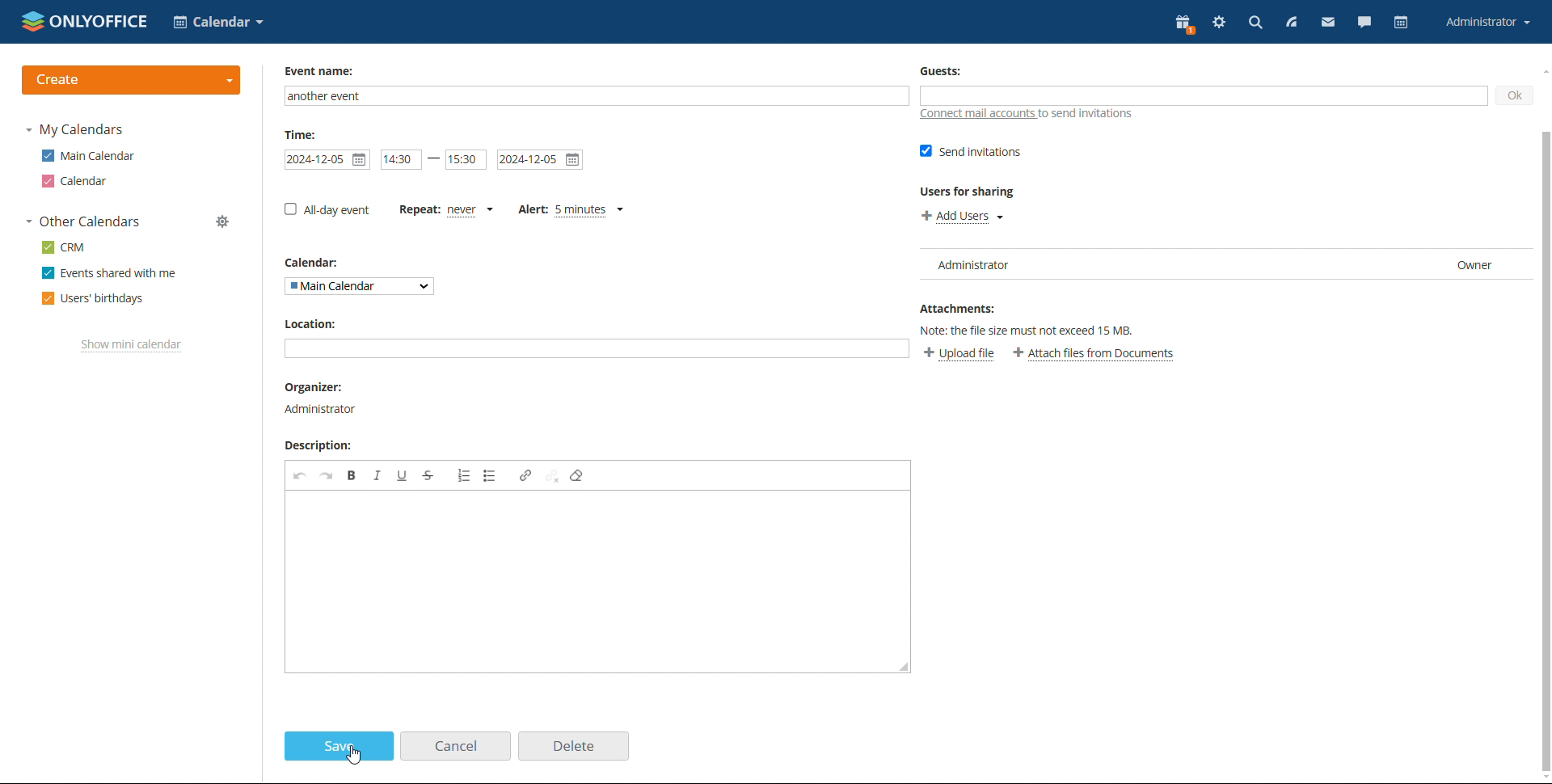 This screenshot has width=1552, height=784. I want to click on insert/remove bulleted list, so click(490, 476).